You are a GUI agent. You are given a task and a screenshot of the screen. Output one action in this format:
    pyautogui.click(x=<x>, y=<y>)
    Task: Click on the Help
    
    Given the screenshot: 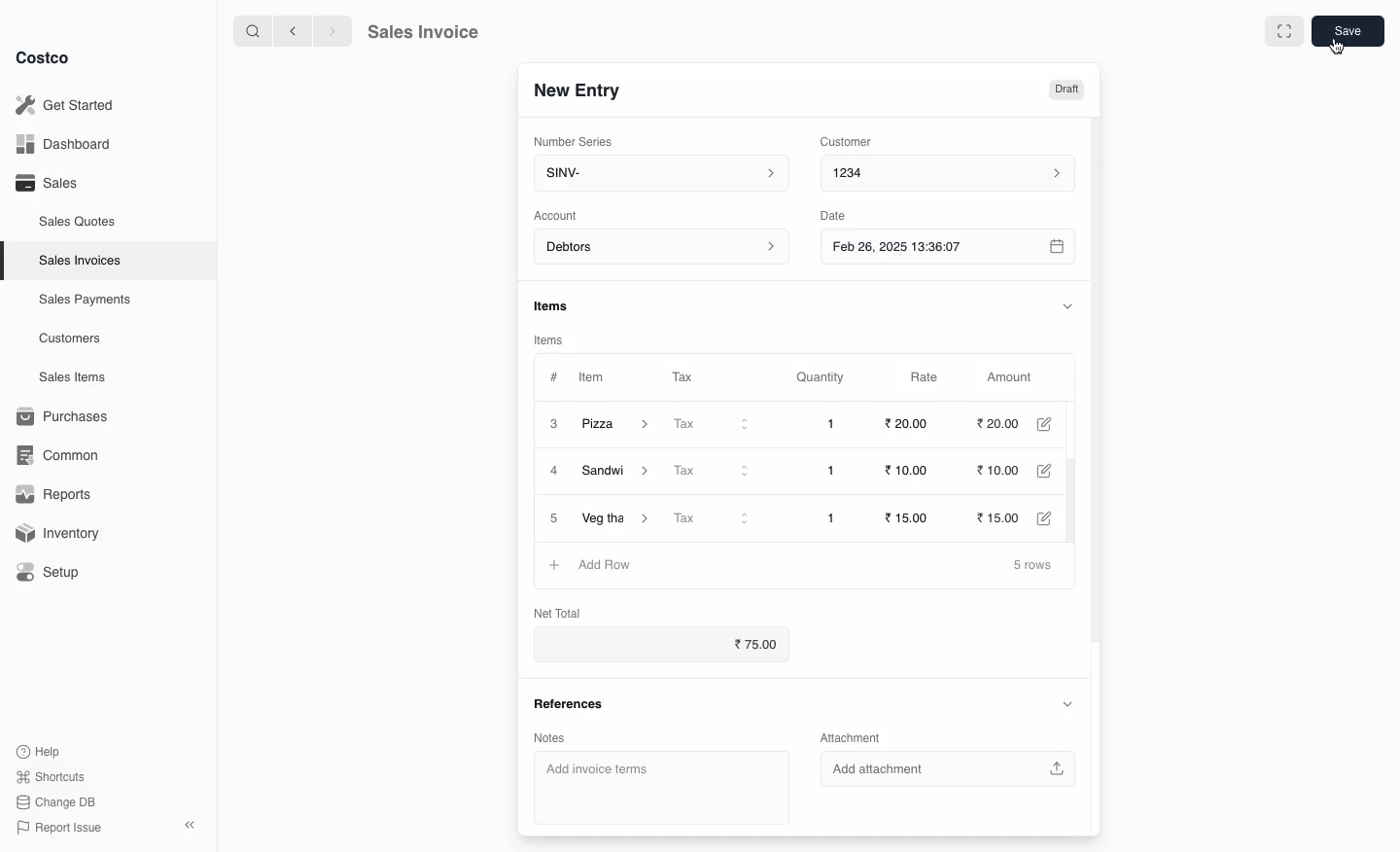 What is the action you would take?
    pyautogui.click(x=40, y=750)
    